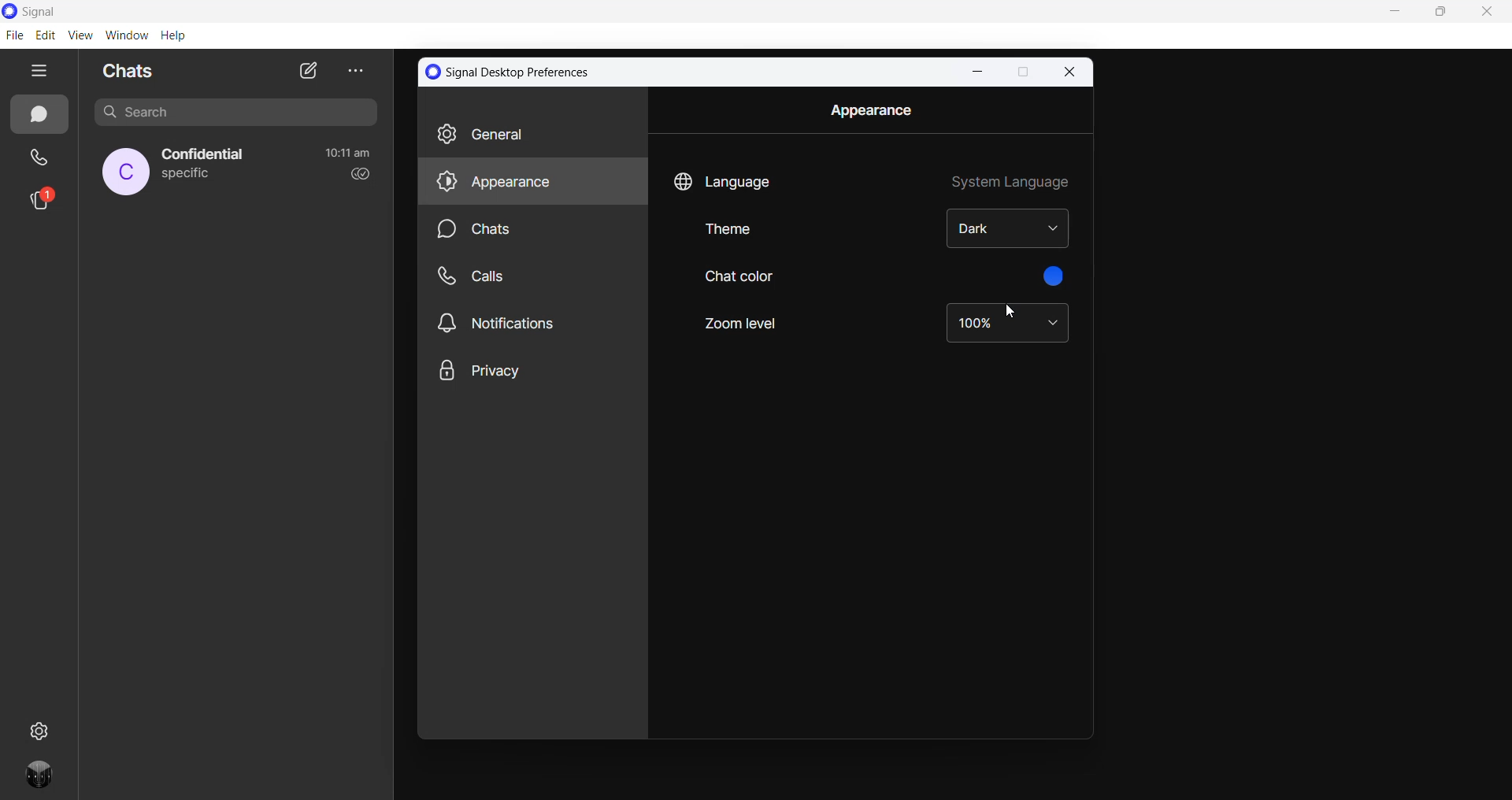 The image size is (1512, 800). Describe the element at coordinates (532, 276) in the screenshot. I see `` at that location.